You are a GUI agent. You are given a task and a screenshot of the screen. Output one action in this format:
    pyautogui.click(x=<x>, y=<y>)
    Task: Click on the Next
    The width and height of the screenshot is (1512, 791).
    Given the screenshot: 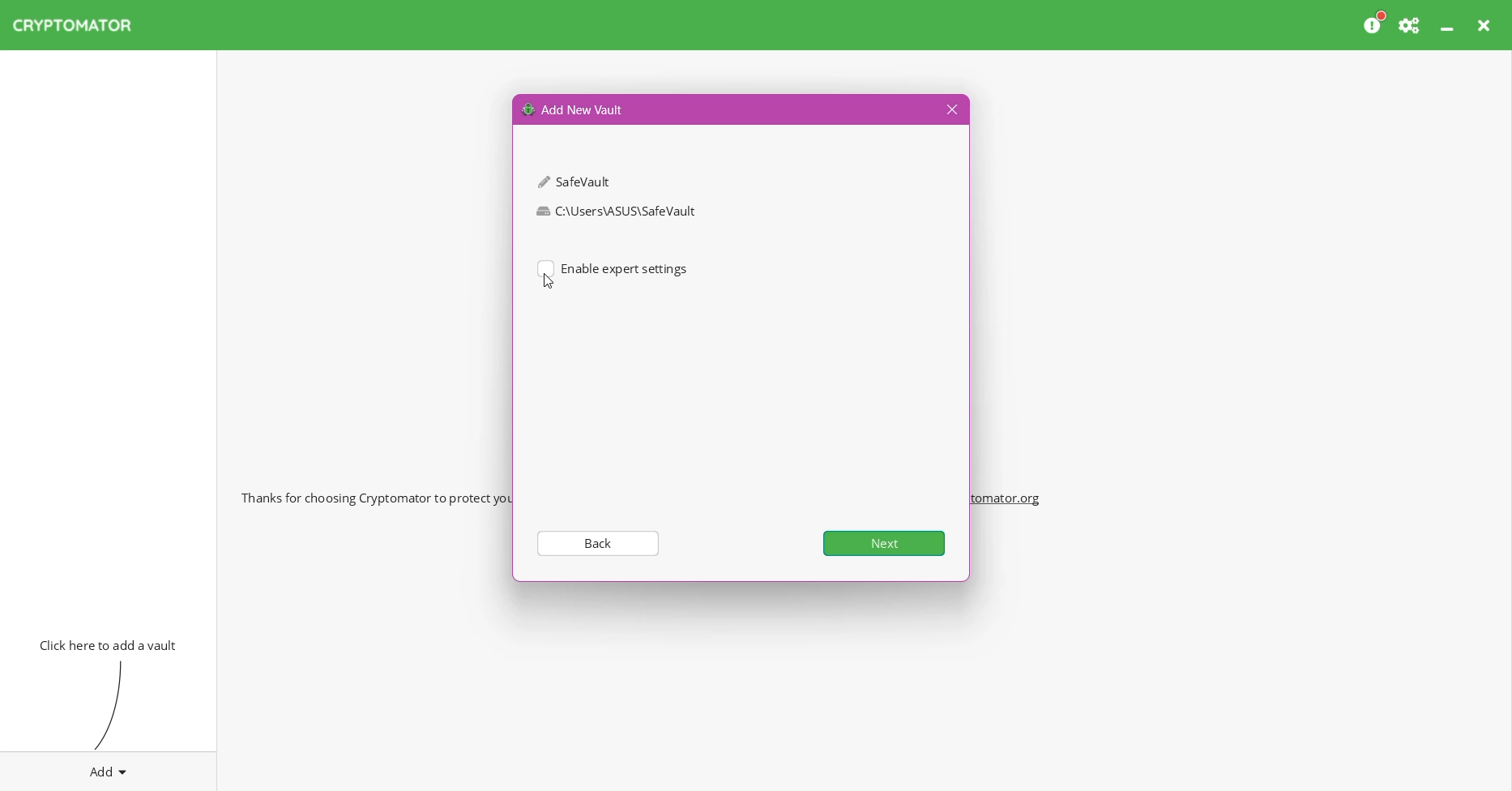 What is the action you would take?
    pyautogui.click(x=886, y=543)
    